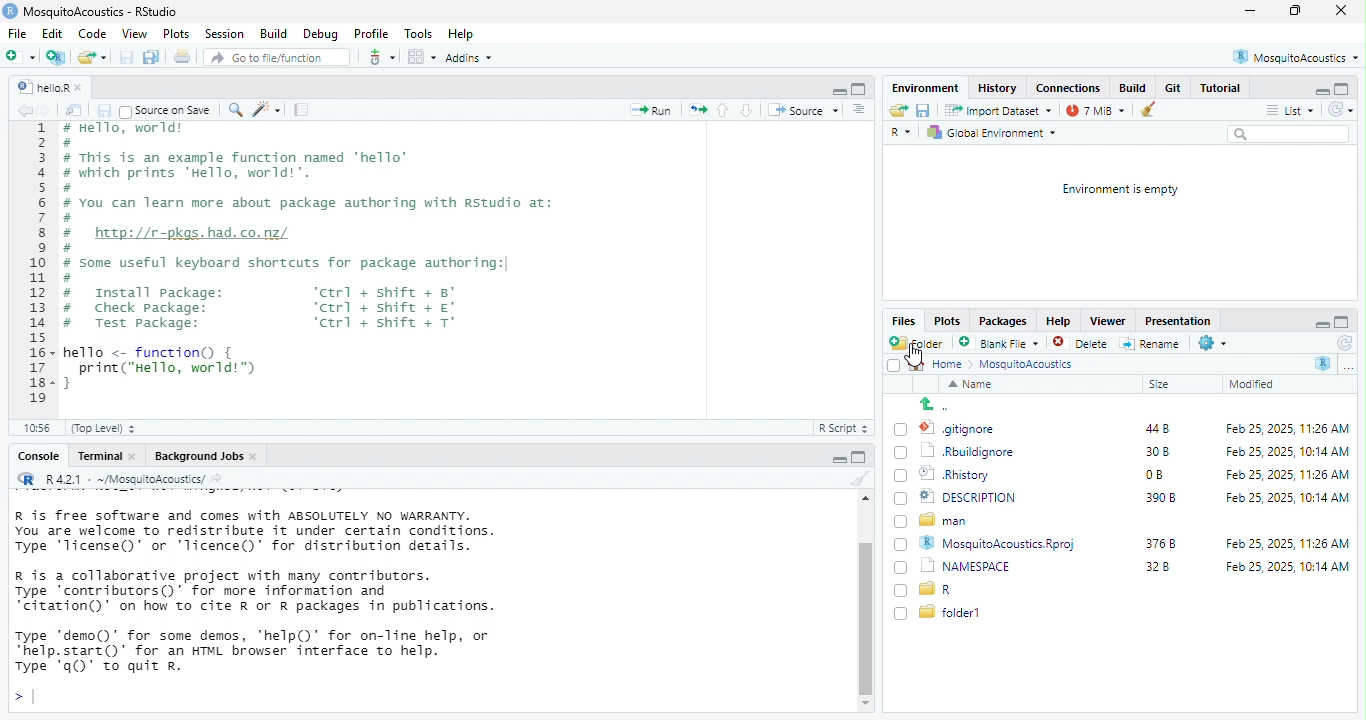 The height and width of the screenshot is (720, 1366). I want to click on Plots, so click(175, 35).